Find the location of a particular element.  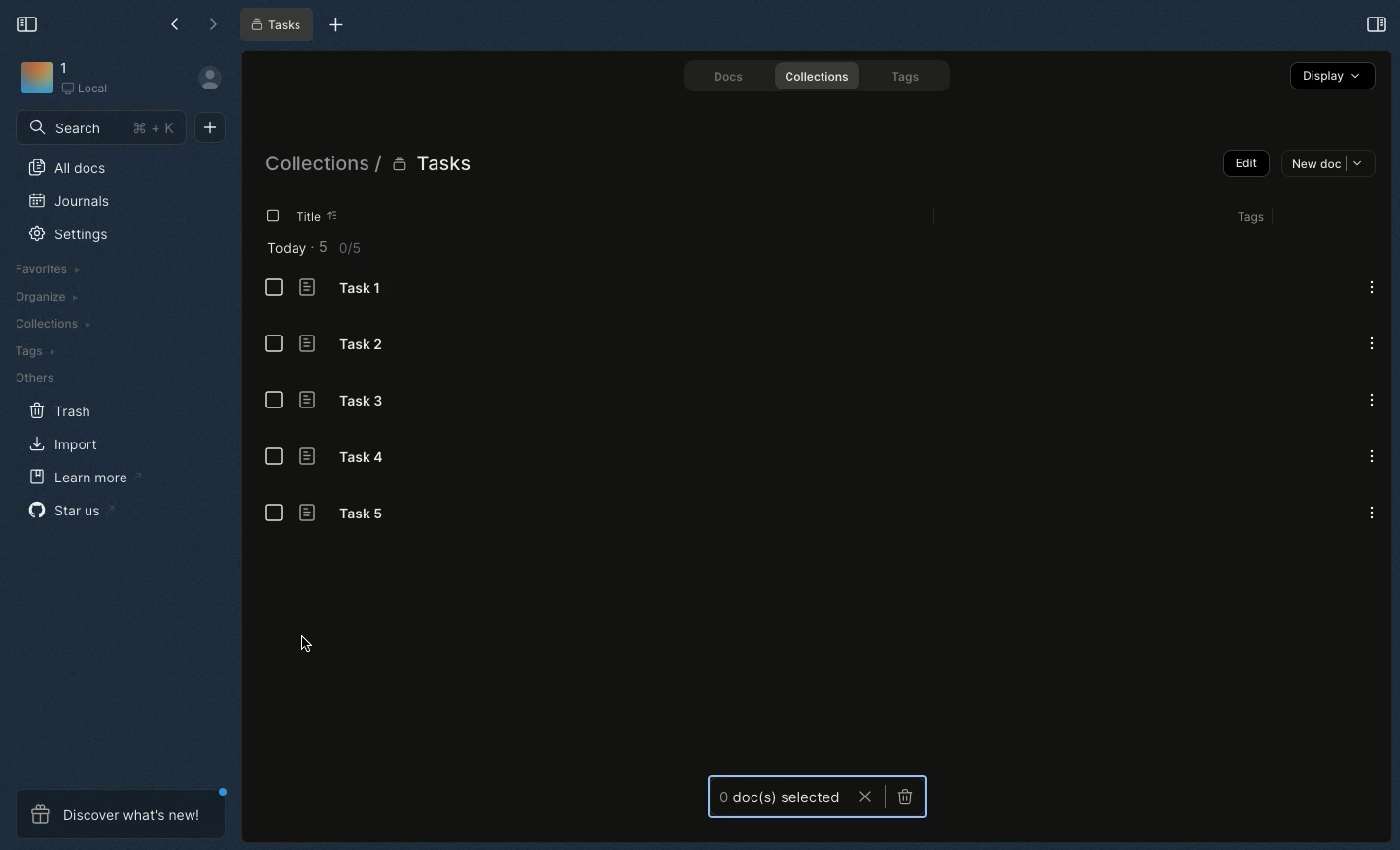

doc(s) selected is located at coordinates (779, 797).